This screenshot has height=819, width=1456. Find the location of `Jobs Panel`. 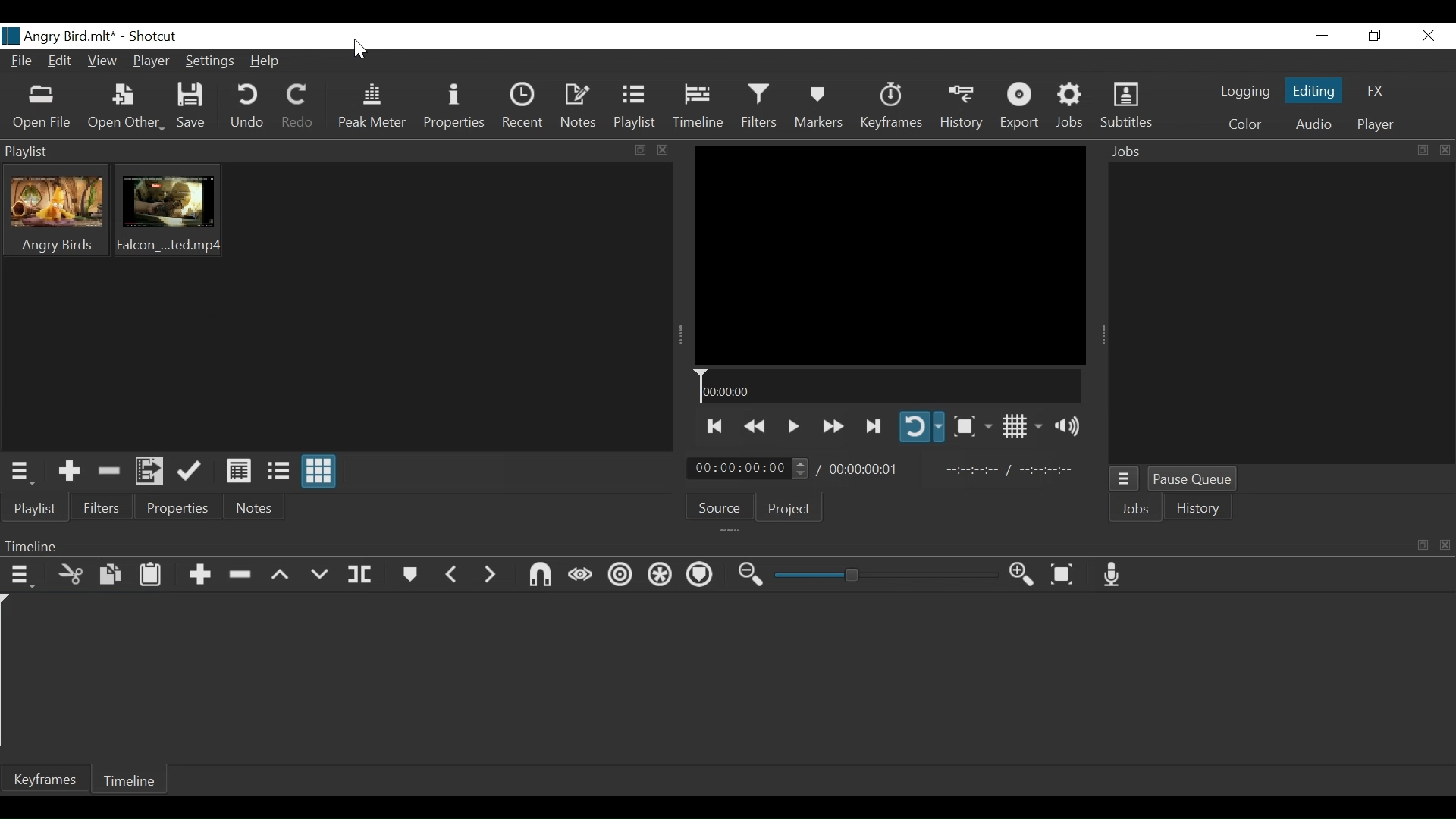

Jobs Panel is located at coordinates (1281, 315).